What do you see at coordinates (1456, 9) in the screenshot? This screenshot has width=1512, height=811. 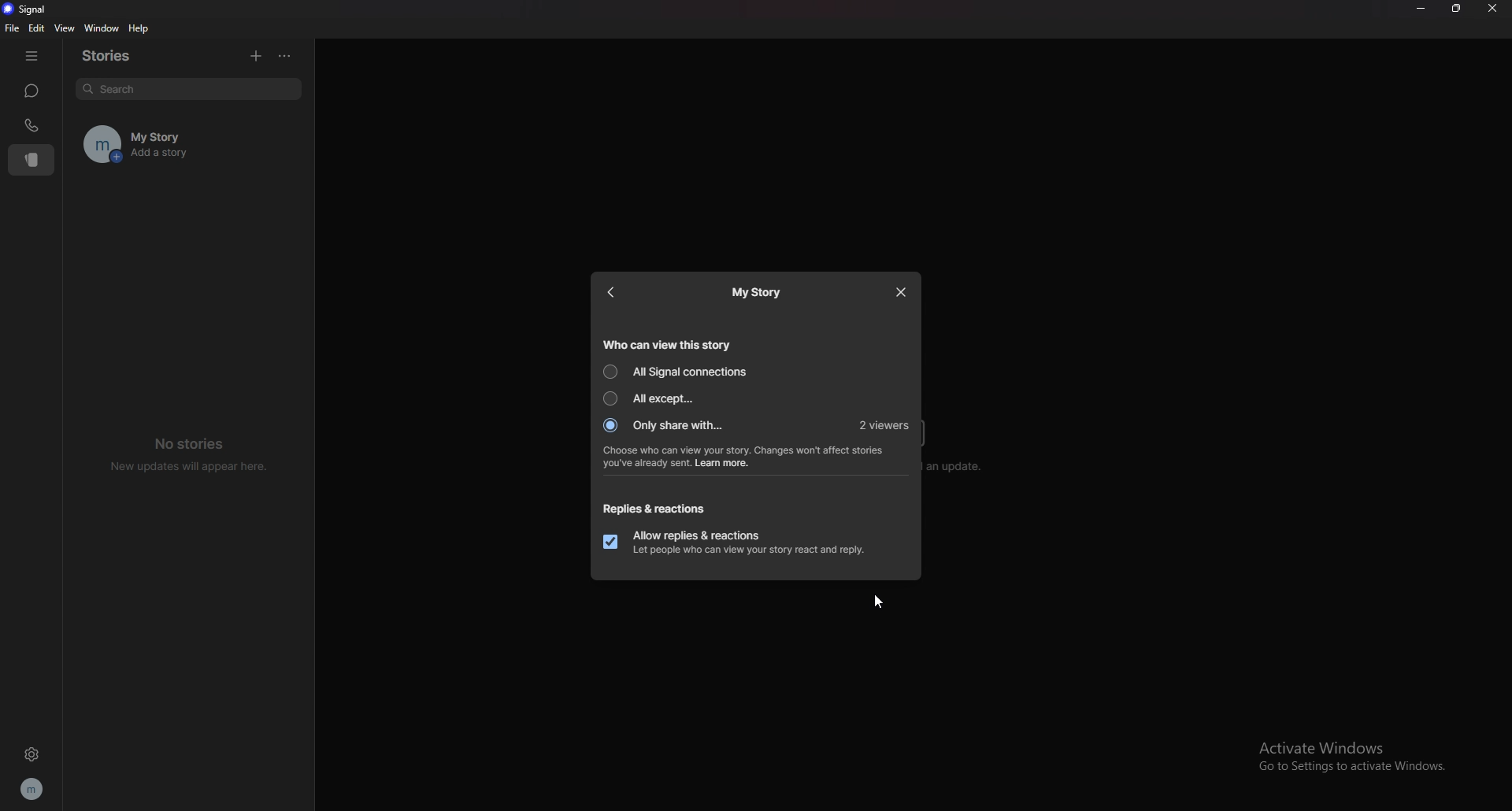 I see `resize` at bounding box center [1456, 9].